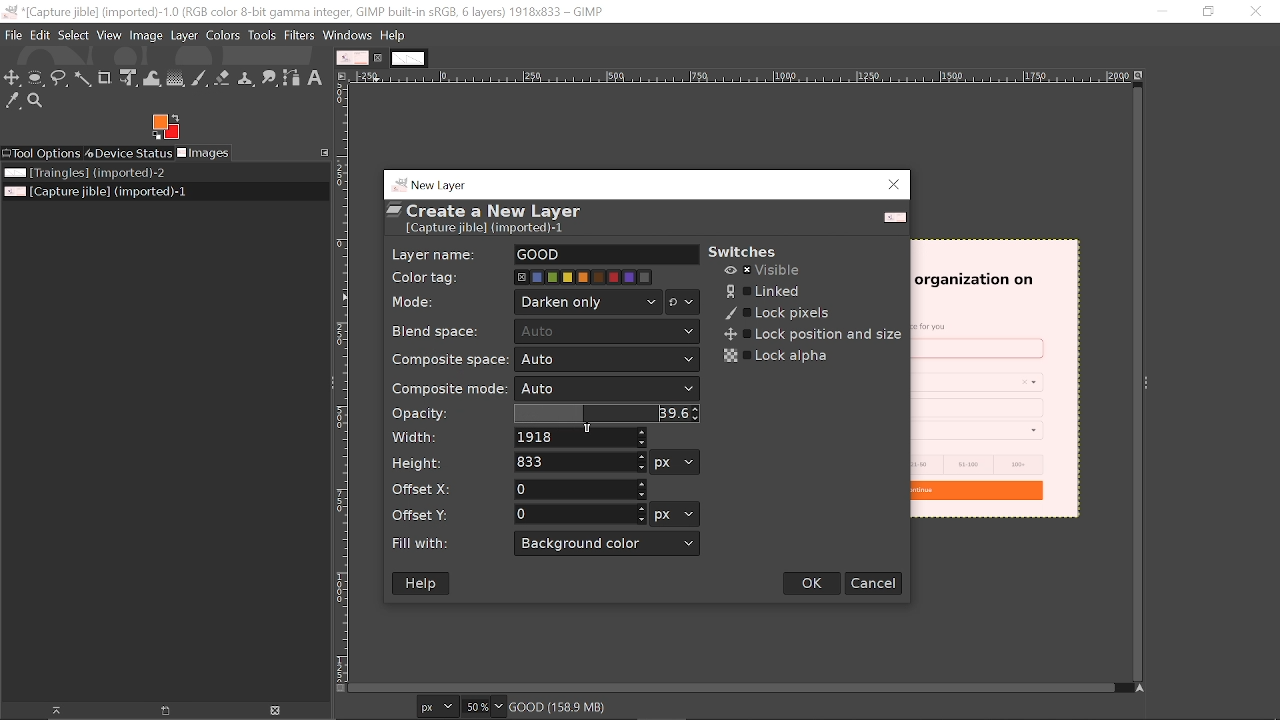 The image size is (1280, 720). I want to click on good (158.9MB), so click(585, 705).